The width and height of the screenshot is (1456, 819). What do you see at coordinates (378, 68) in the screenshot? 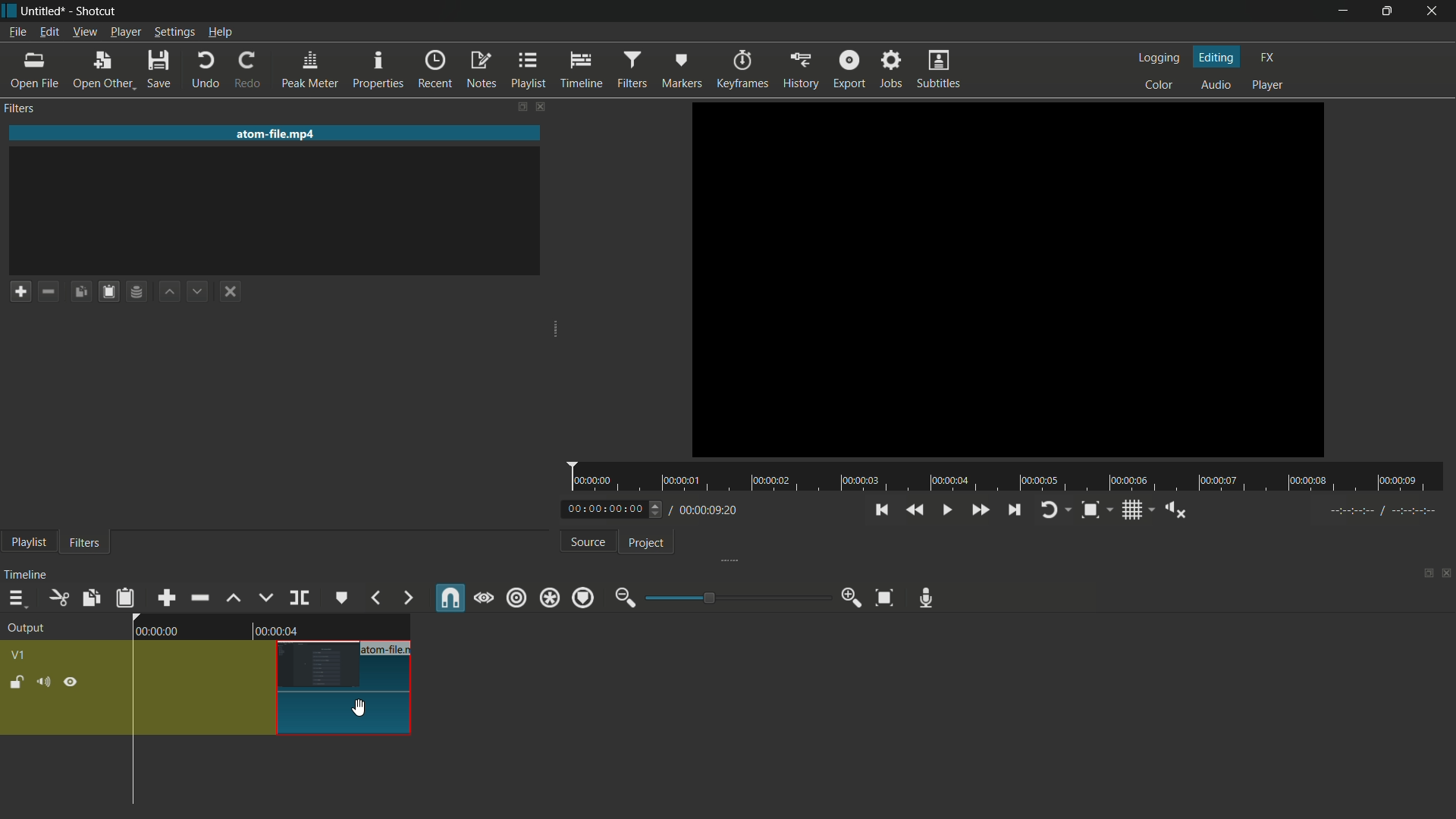
I see `properties` at bounding box center [378, 68].